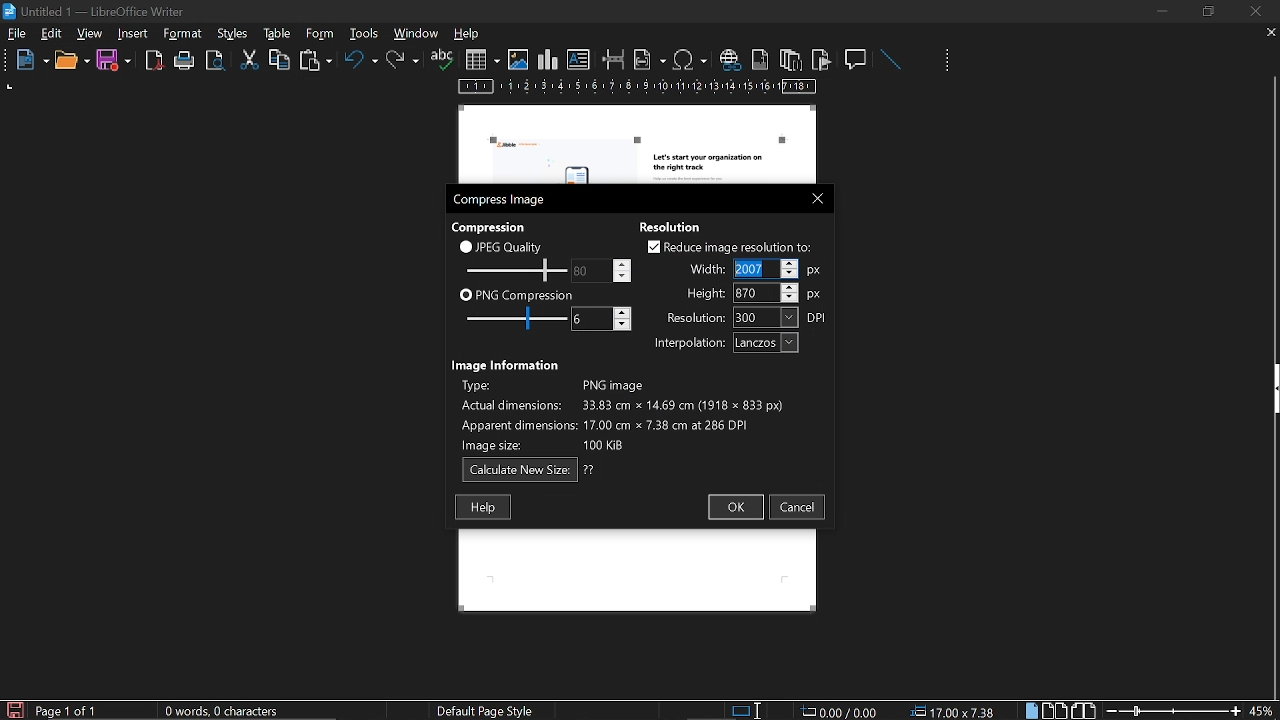 The width and height of the screenshot is (1280, 720). I want to click on restore down, so click(1211, 11).